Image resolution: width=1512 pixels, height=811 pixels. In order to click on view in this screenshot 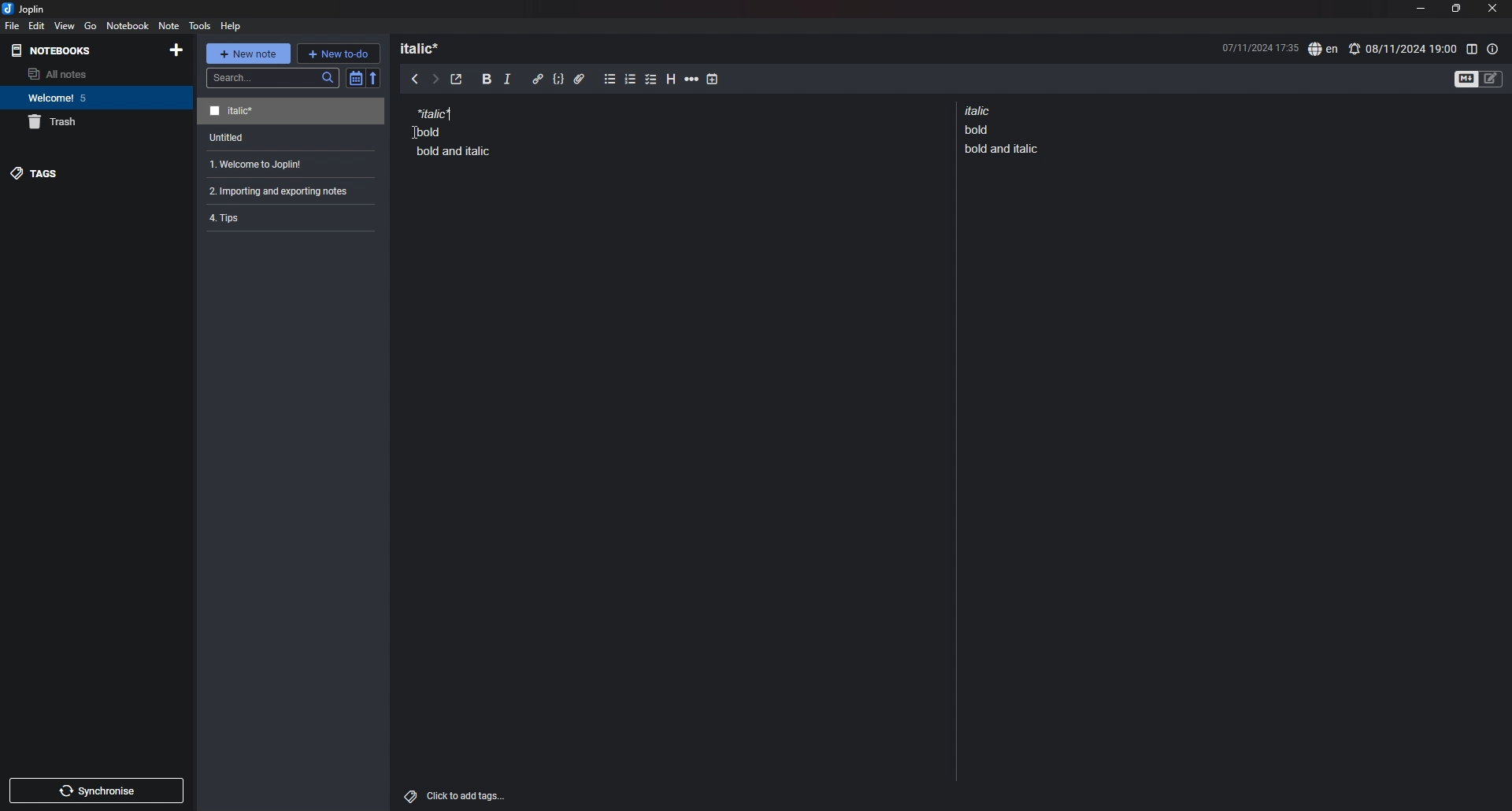, I will do `click(65, 25)`.